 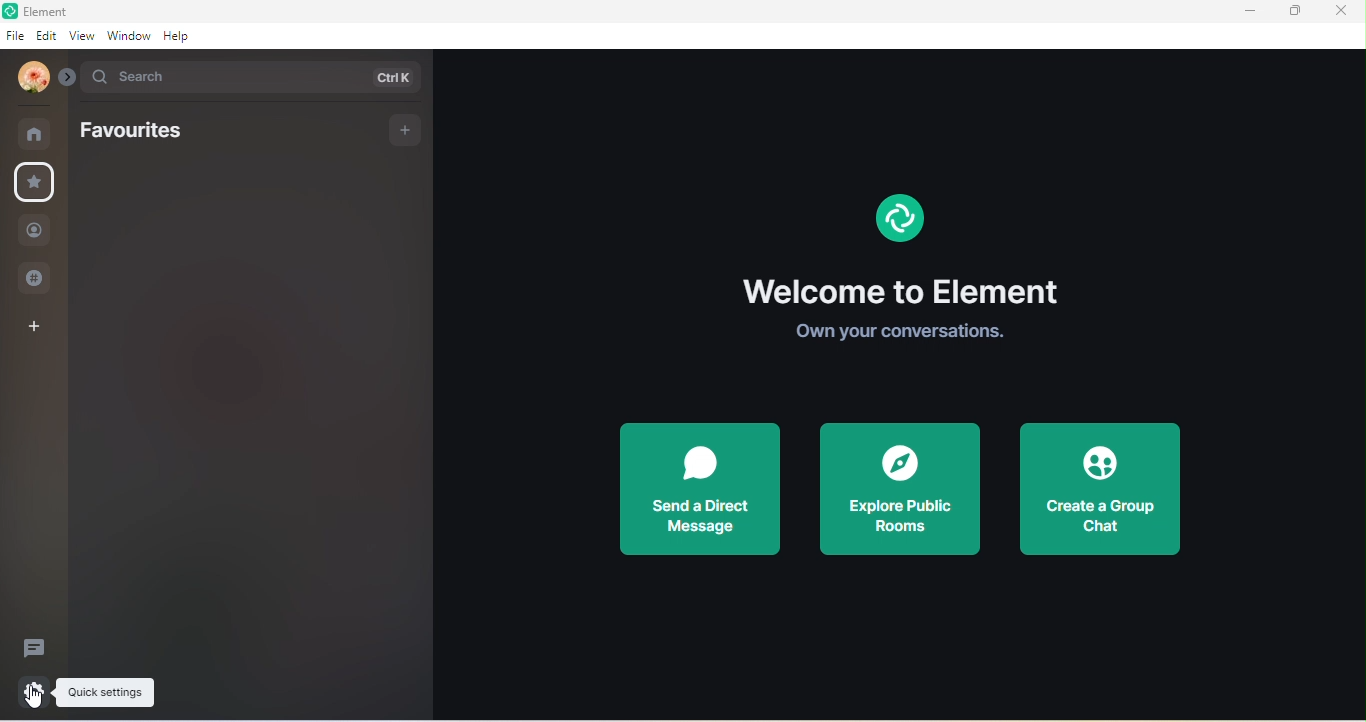 I want to click on view, so click(x=82, y=37).